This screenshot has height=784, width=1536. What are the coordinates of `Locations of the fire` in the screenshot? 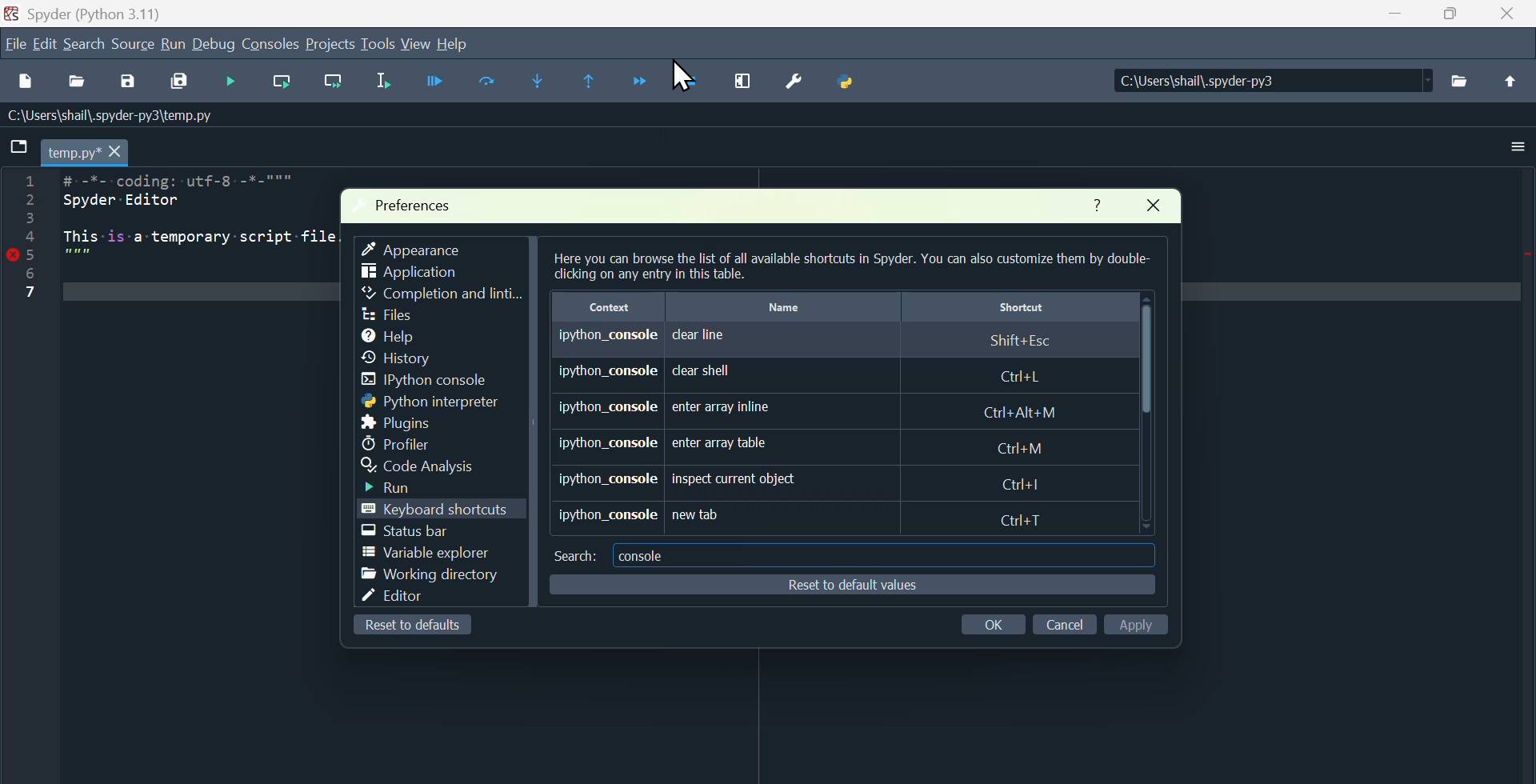 It's located at (1264, 86).